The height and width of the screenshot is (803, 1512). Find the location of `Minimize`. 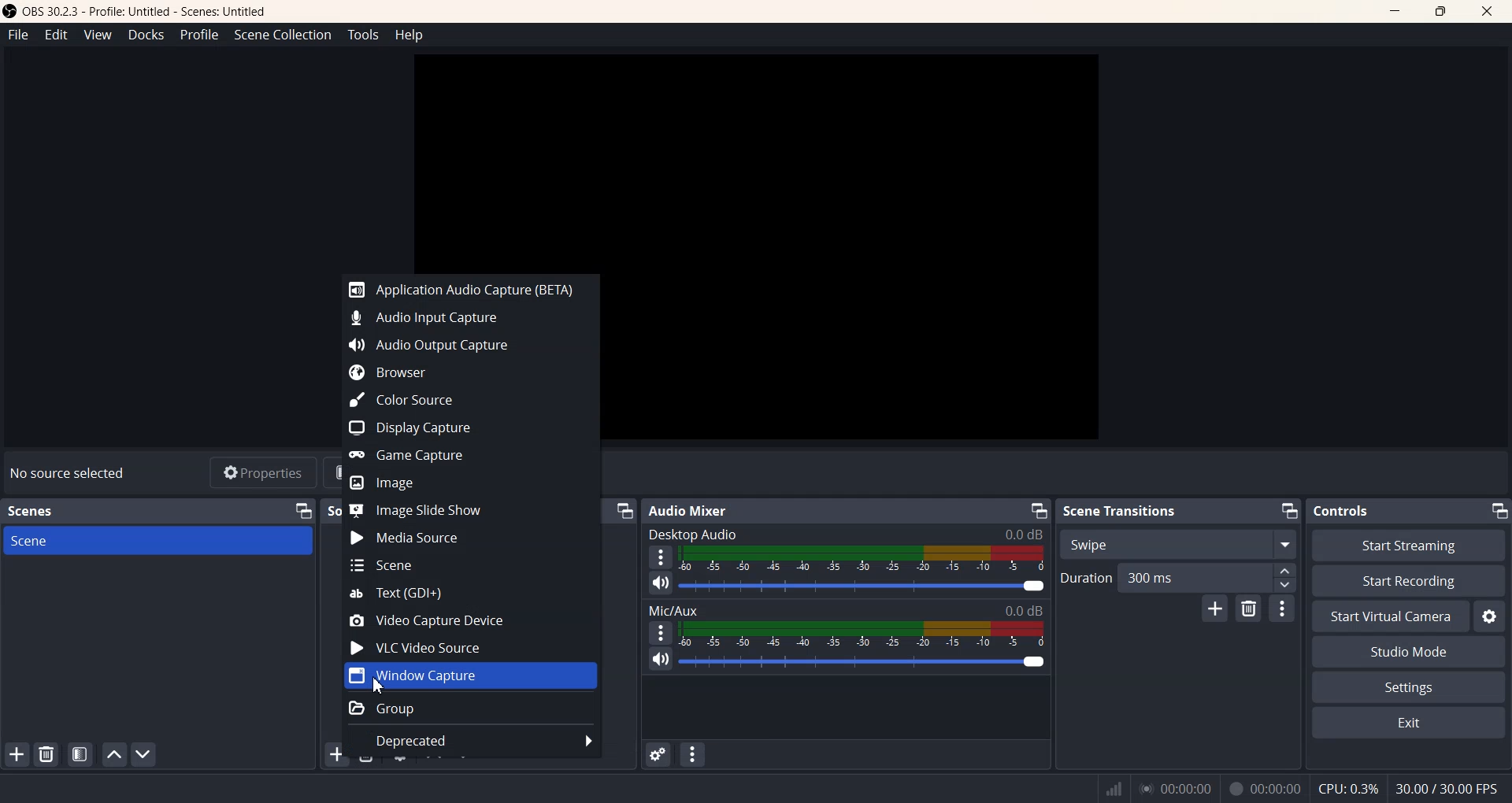

Minimize is located at coordinates (305, 510).